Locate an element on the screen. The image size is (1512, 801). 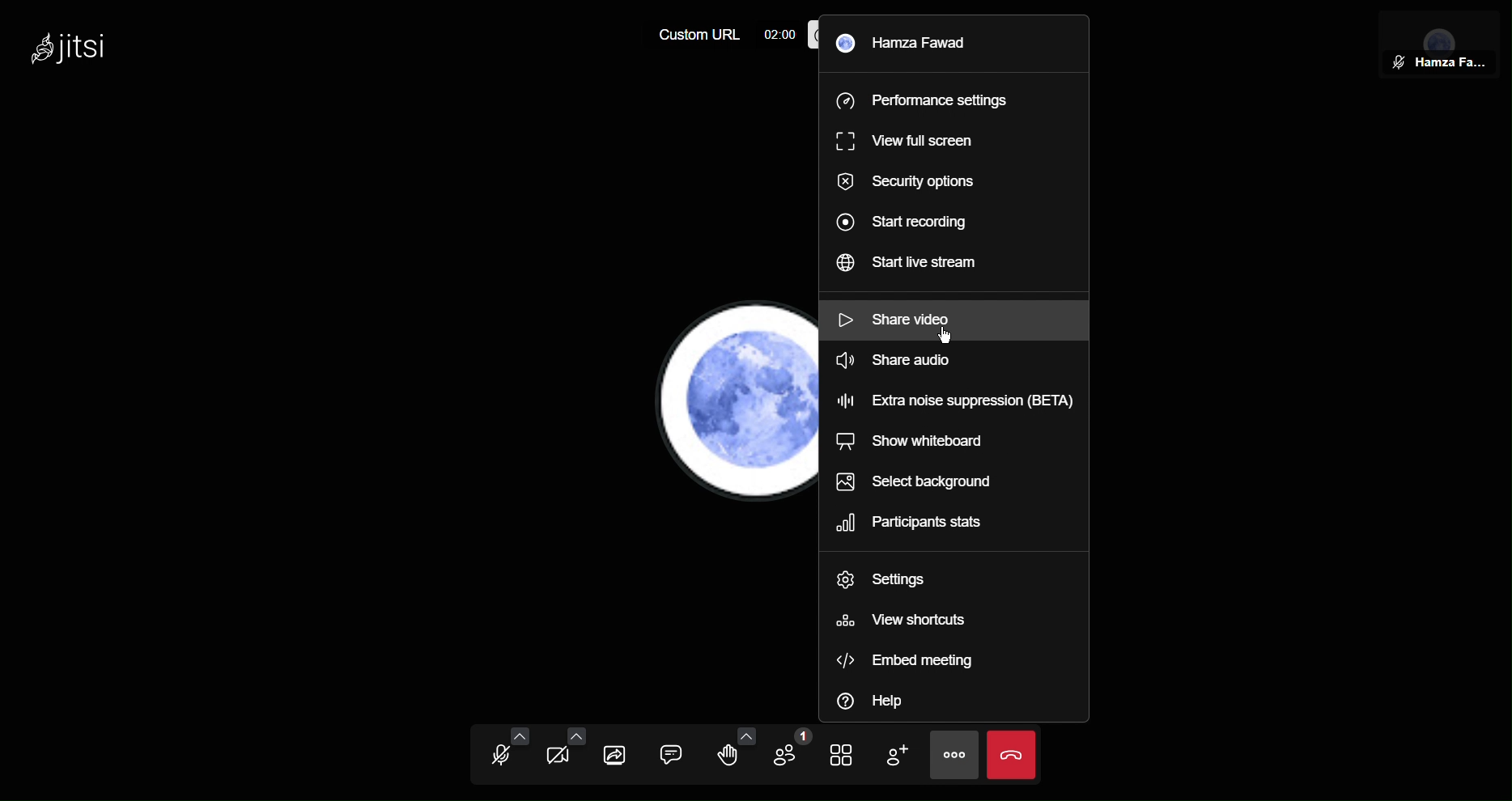
Add Participant is located at coordinates (899, 754).